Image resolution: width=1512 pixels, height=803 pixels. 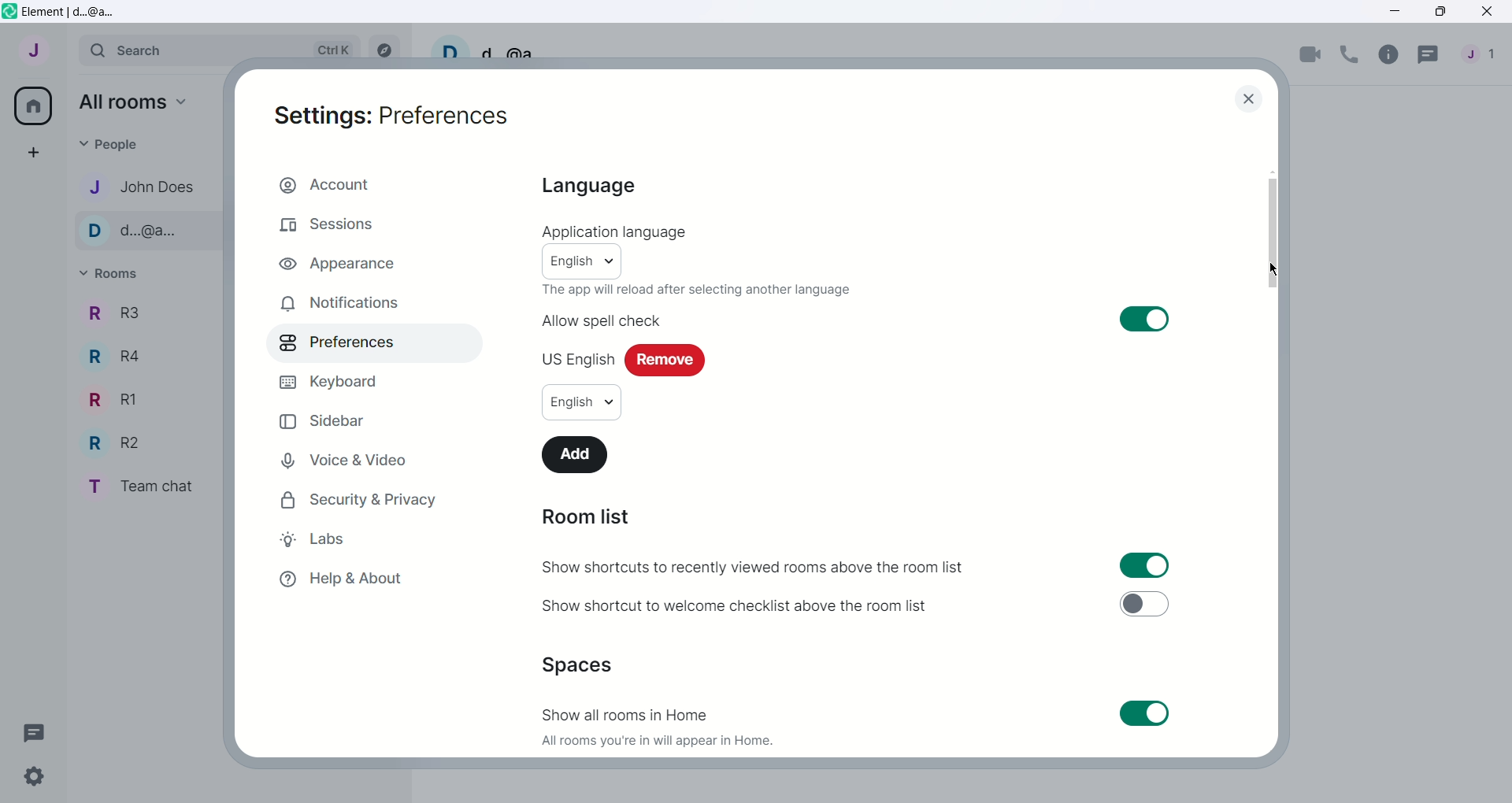 I want to click on Room info, so click(x=1388, y=56).